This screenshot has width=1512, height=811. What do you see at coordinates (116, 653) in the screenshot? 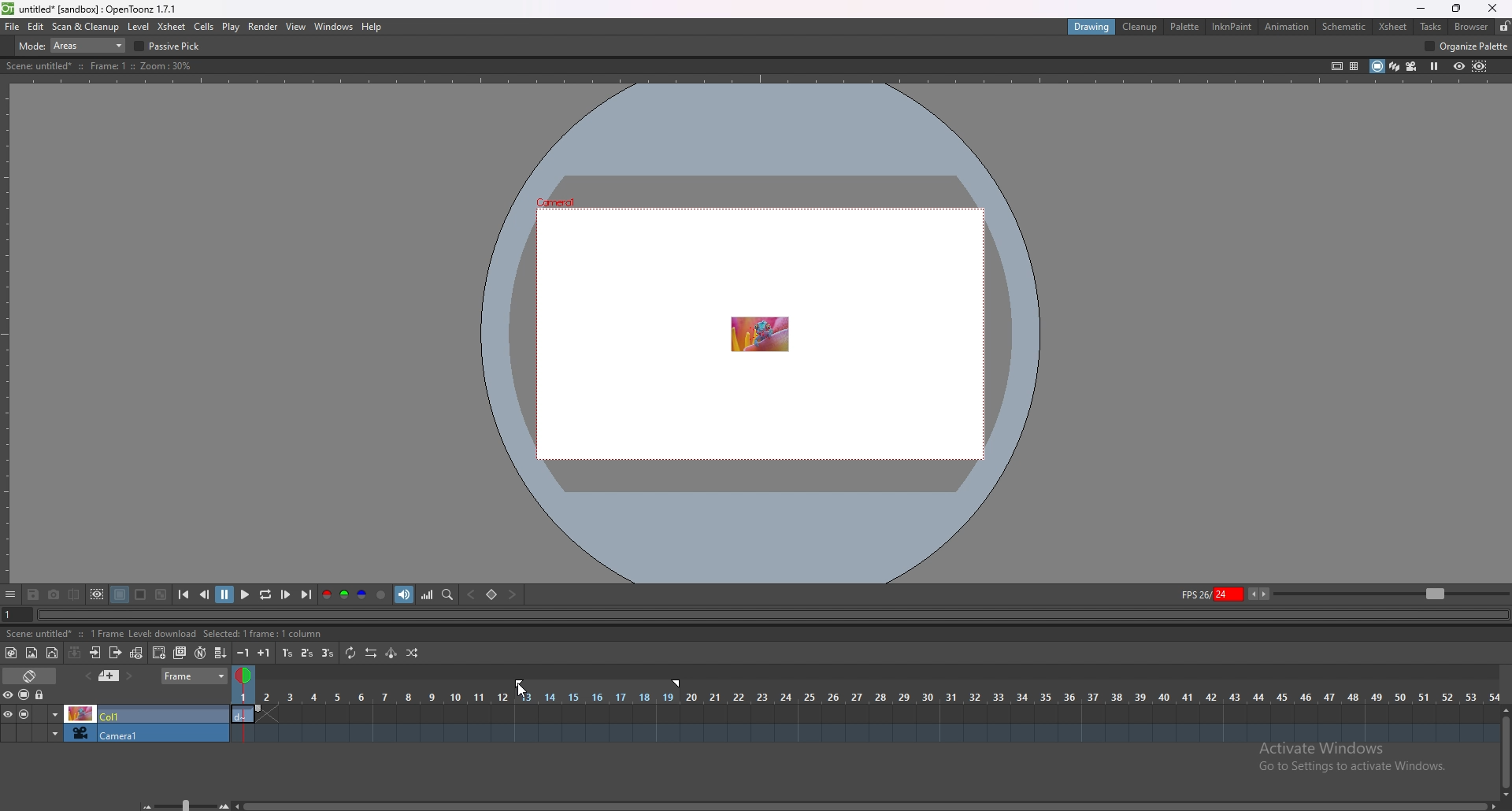
I see `close subsheet` at bounding box center [116, 653].